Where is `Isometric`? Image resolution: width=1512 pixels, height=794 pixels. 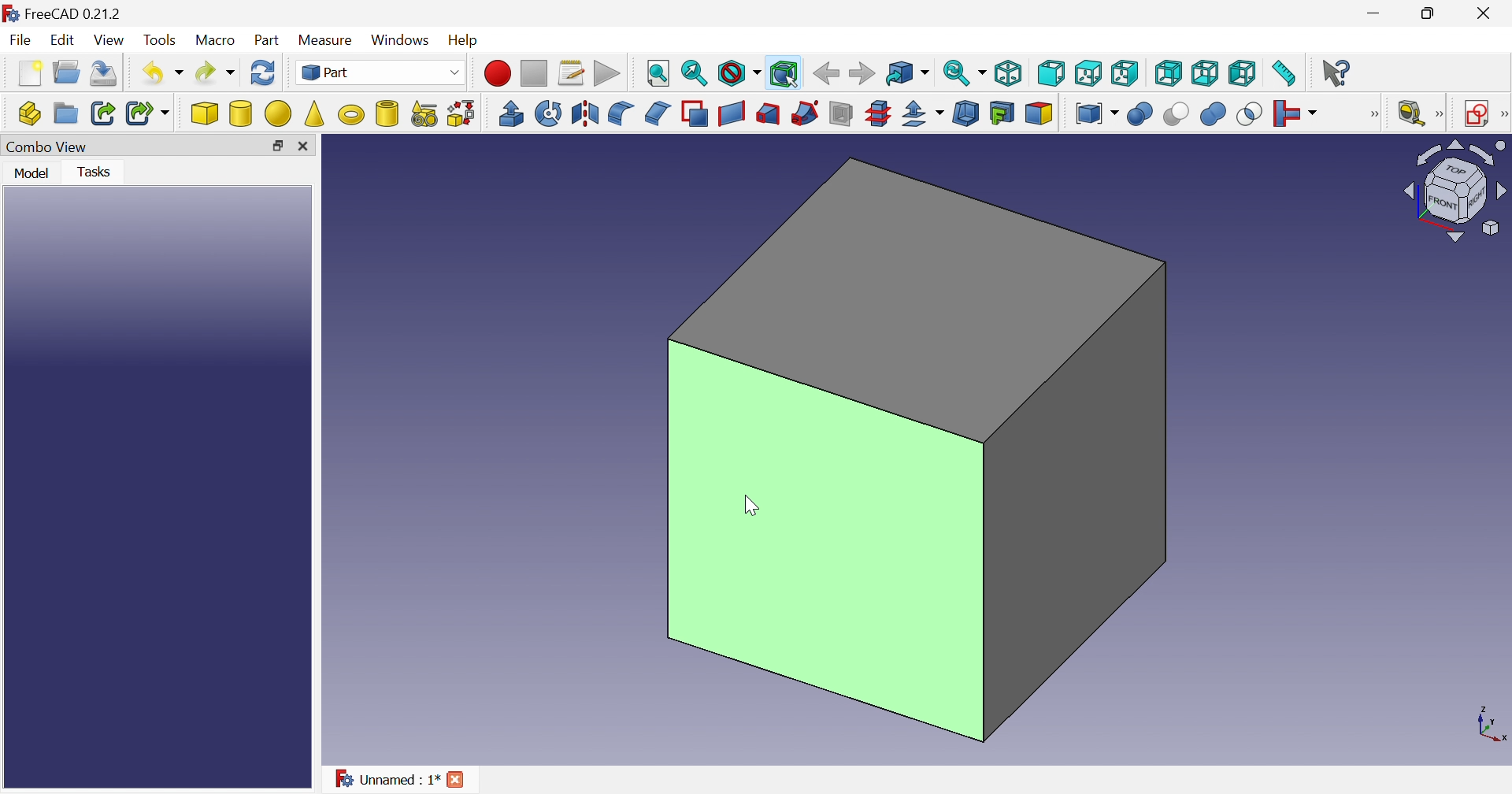
Isometric is located at coordinates (1011, 72).